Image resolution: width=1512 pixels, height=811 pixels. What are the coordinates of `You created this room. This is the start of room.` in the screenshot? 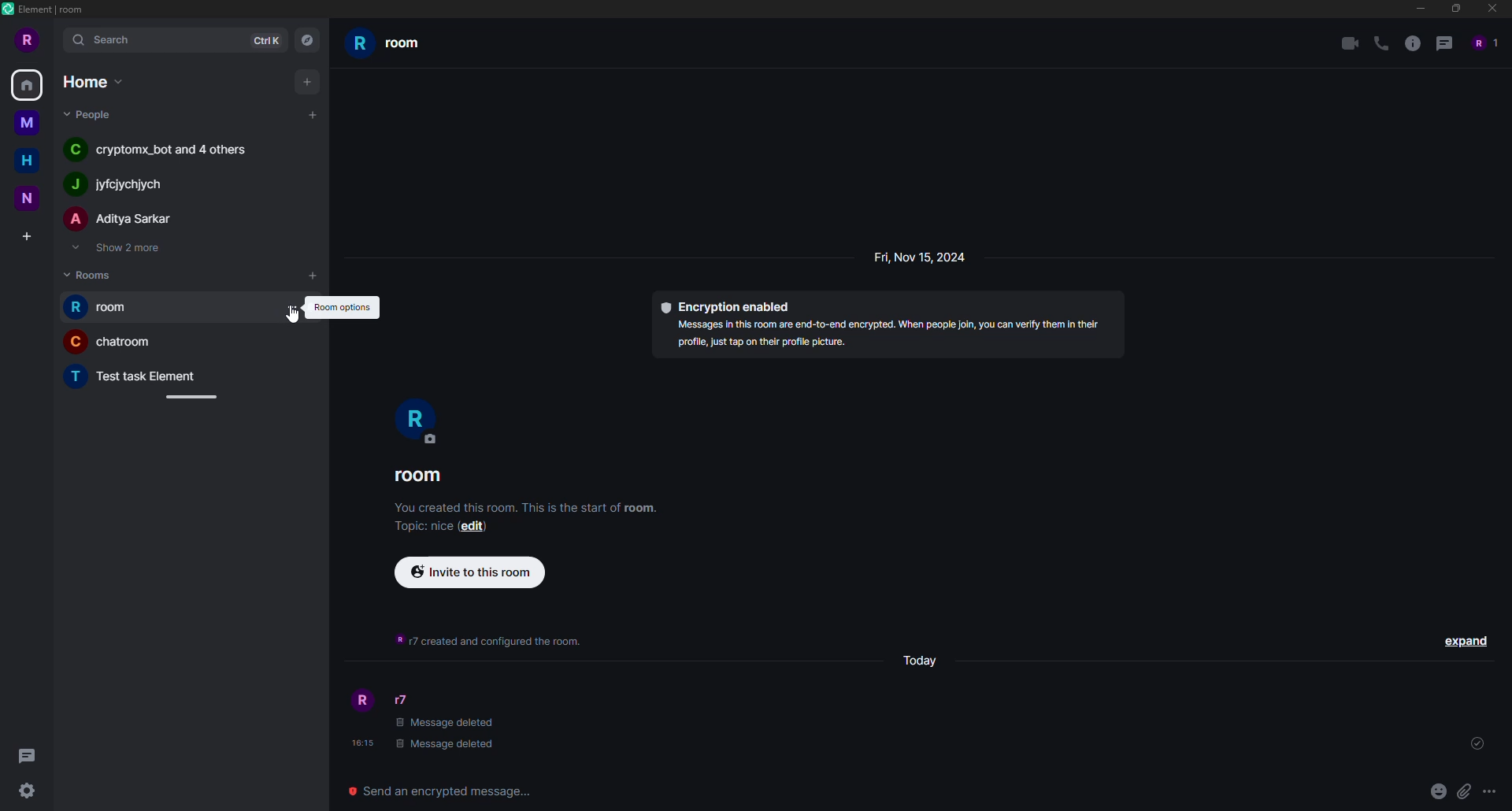 It's located at (519, 511).